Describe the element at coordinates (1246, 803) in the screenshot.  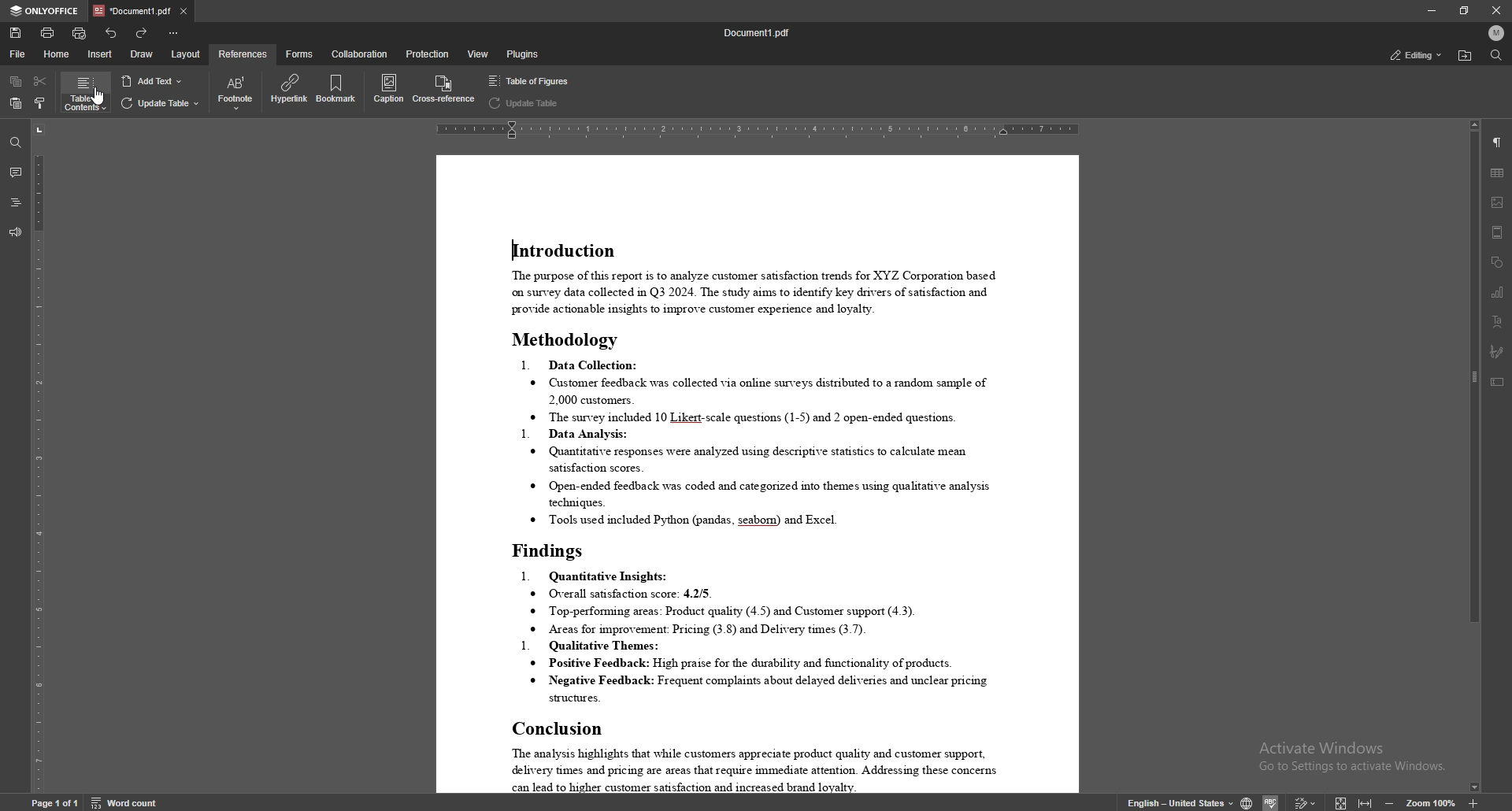
I see `change doc language` at that location.